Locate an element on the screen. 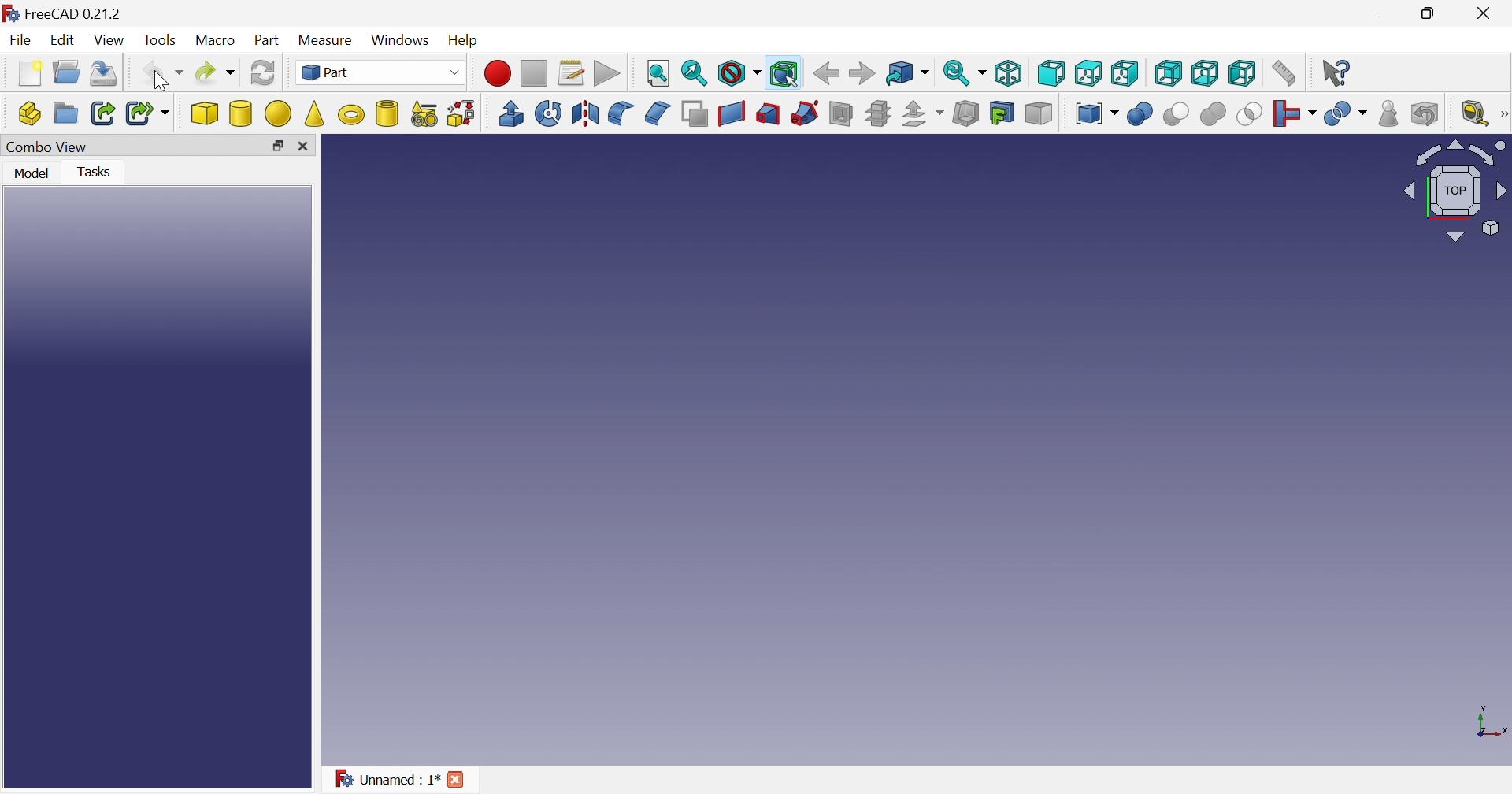 Image resolution: width=1512 pixels, height=794 pixels. Create tube is located at coordinates (386, 113).